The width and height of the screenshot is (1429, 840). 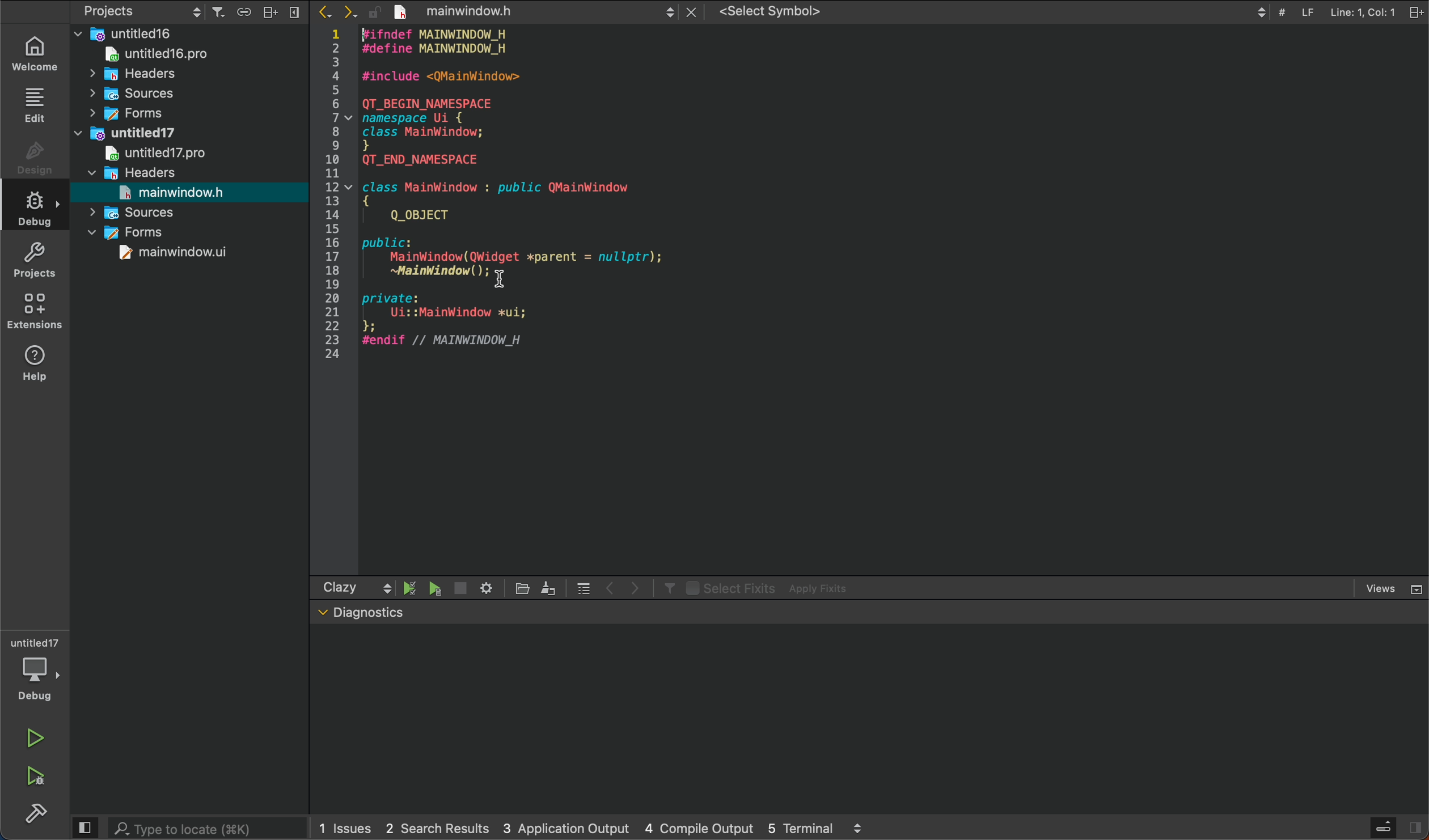 I want to click on | untitled16, so click(x=129, y=33).